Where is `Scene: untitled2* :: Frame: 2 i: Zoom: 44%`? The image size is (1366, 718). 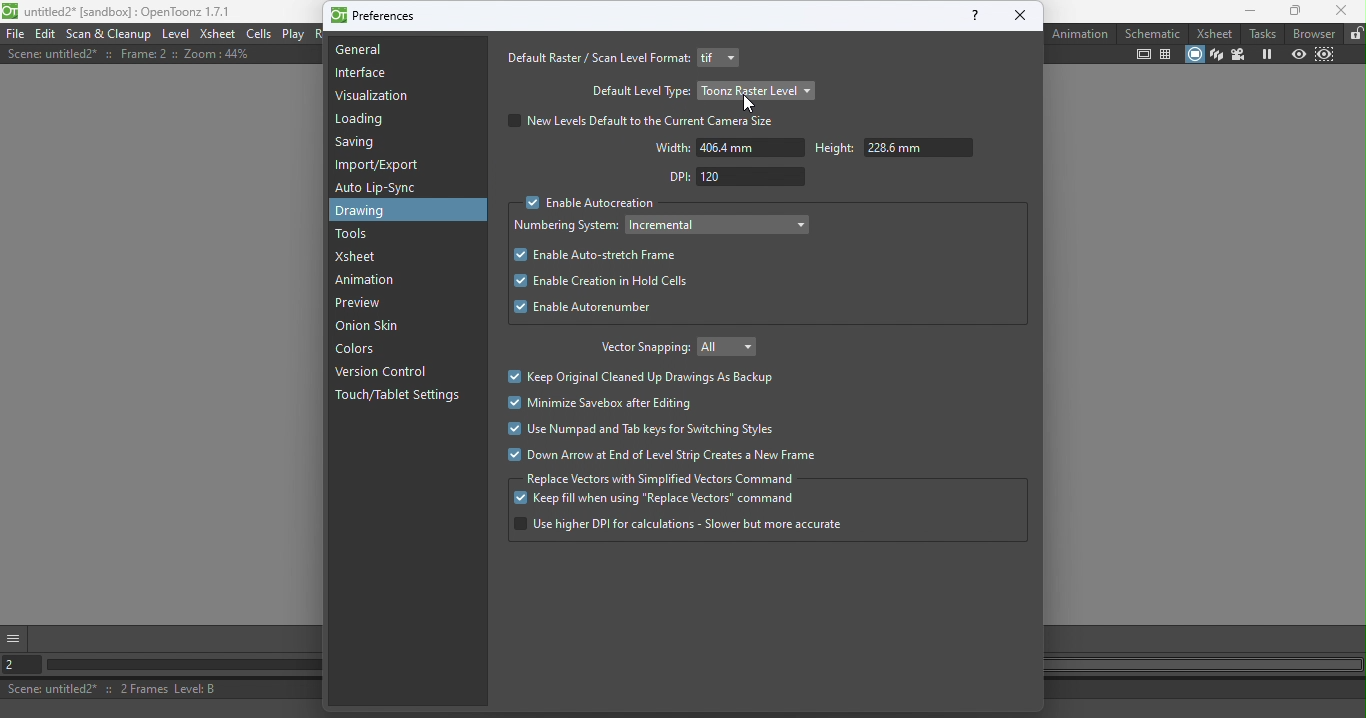
Scene: untitled2* :: Frame: 2 i: Zoom: 44% is located at coordinates (129, 54).